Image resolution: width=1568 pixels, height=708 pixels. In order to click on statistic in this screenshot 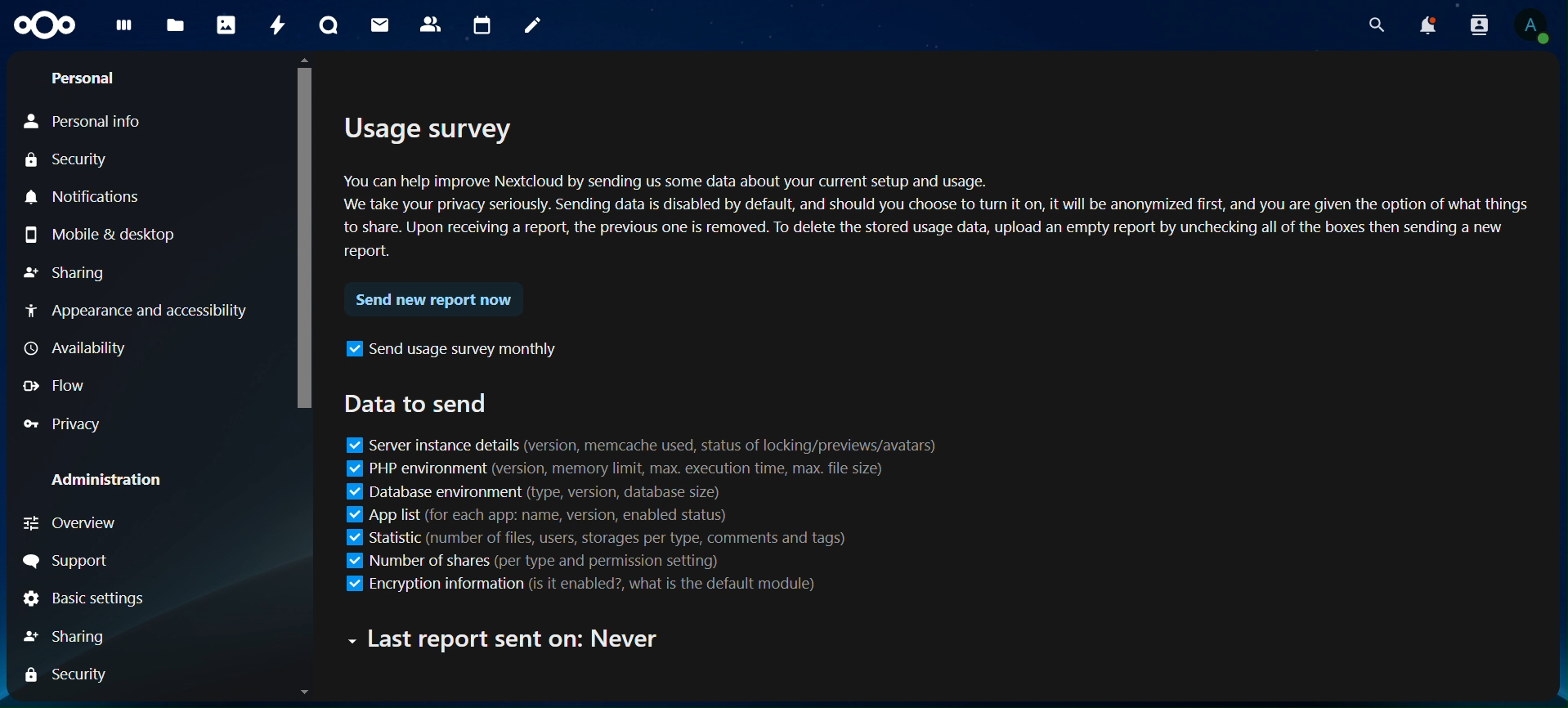, I will do `click(567, 536)`.